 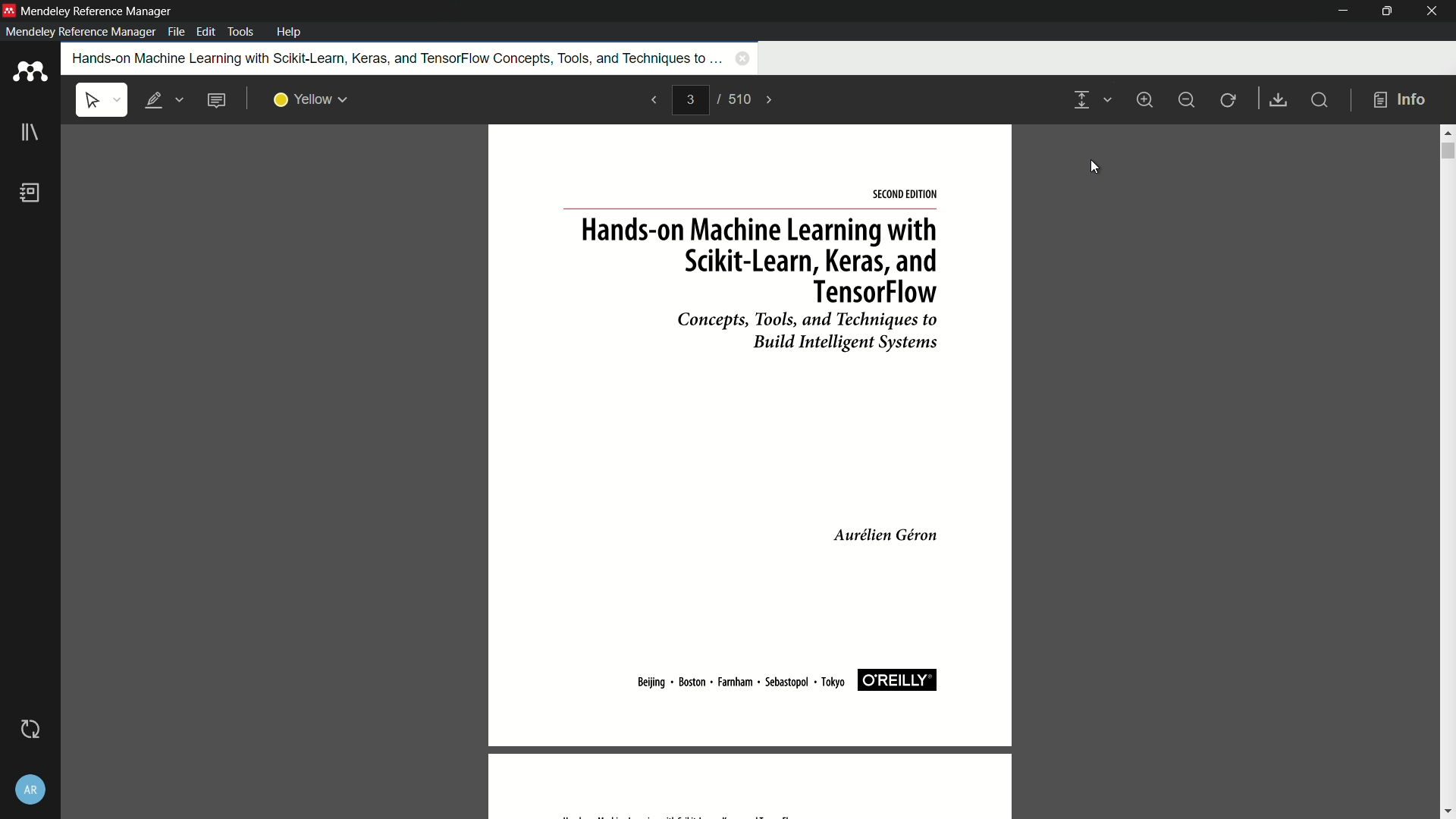 What do you see at coordinates (9, 11) in the screenshot?
I see `app icon` at bounding box center [9, 11].